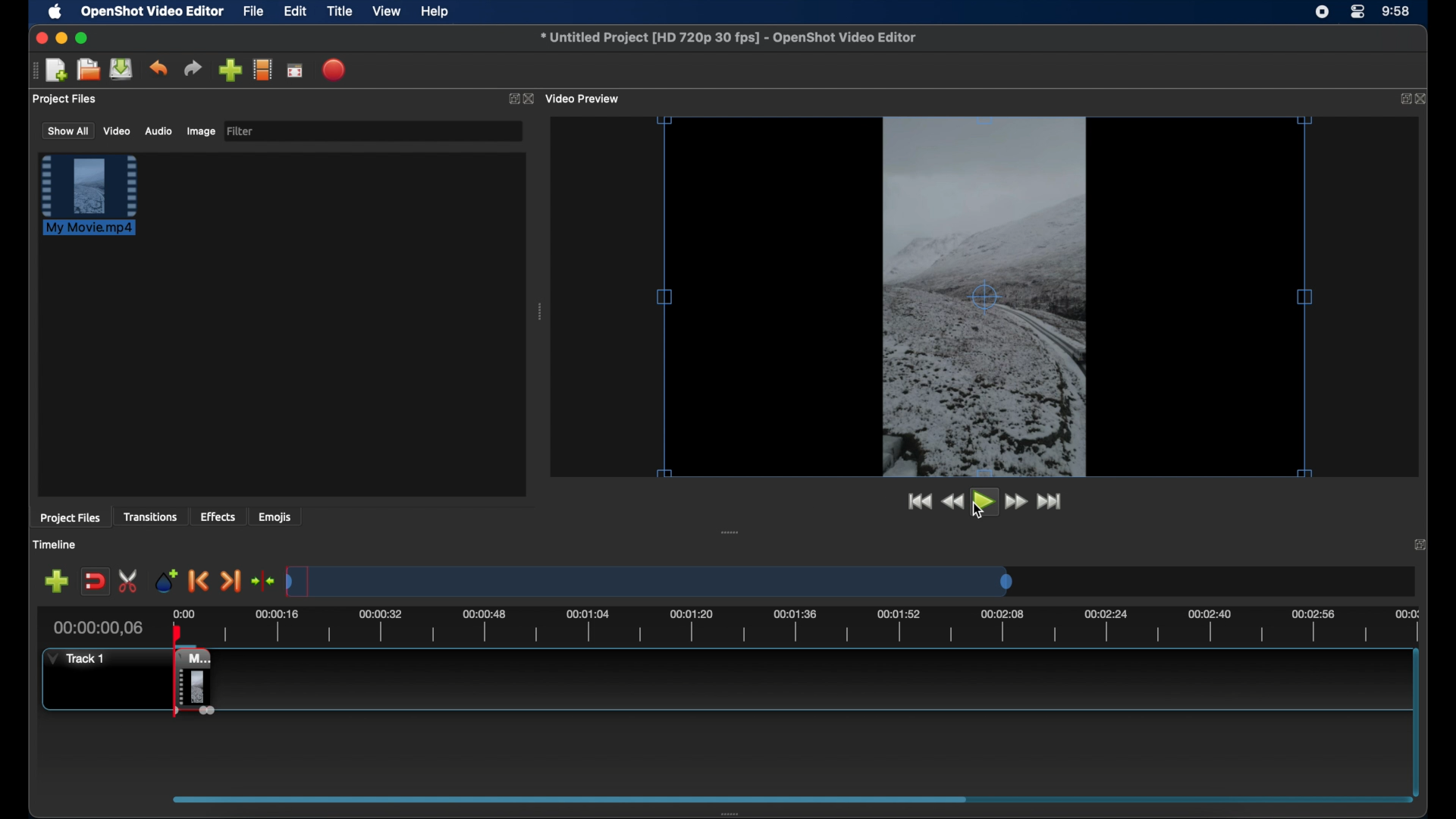  What do you see at coordinates (735, 813) in the screenshot?
I see `drag handle` at bounding box center [735, 813].